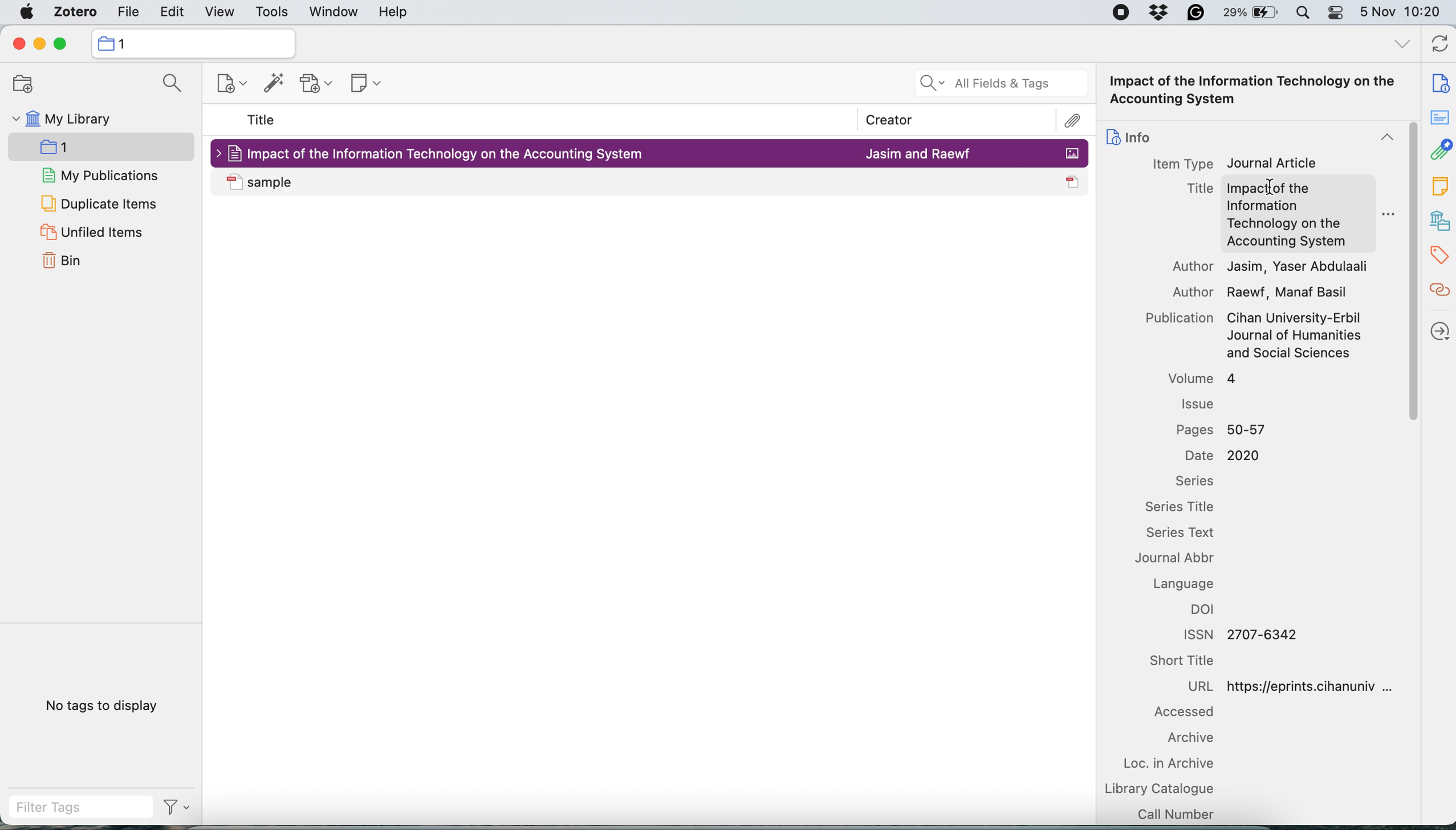 This screenshot has width=1456, height=830. What do you see at coordinates (1233, 163) in the screenshot?
I see `Item Type Journal Article` at bounding box center [1233, 163].